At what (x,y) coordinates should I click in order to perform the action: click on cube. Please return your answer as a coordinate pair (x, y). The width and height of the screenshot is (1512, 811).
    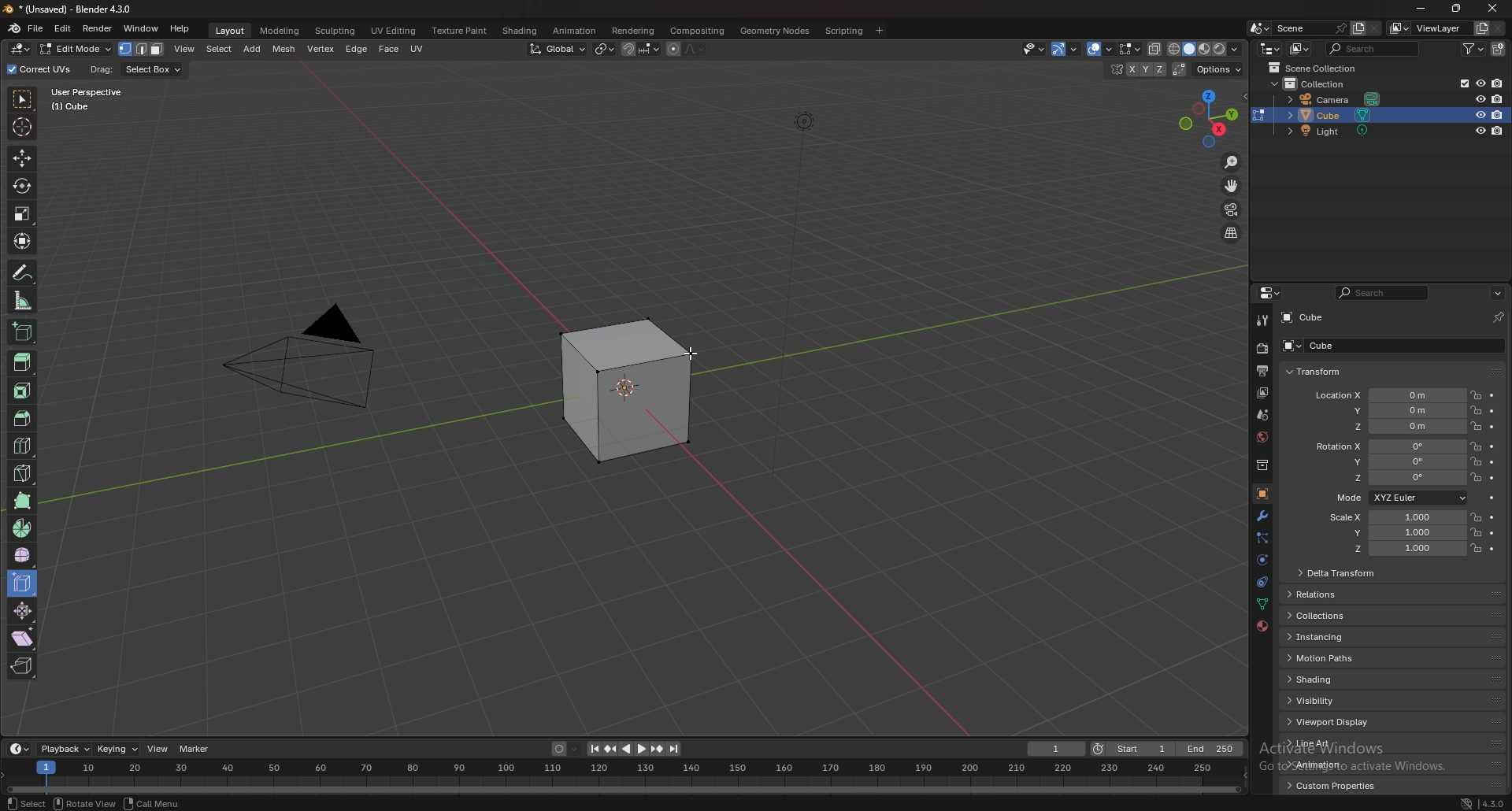
    Looking at the image, I should click on (1303, 317).